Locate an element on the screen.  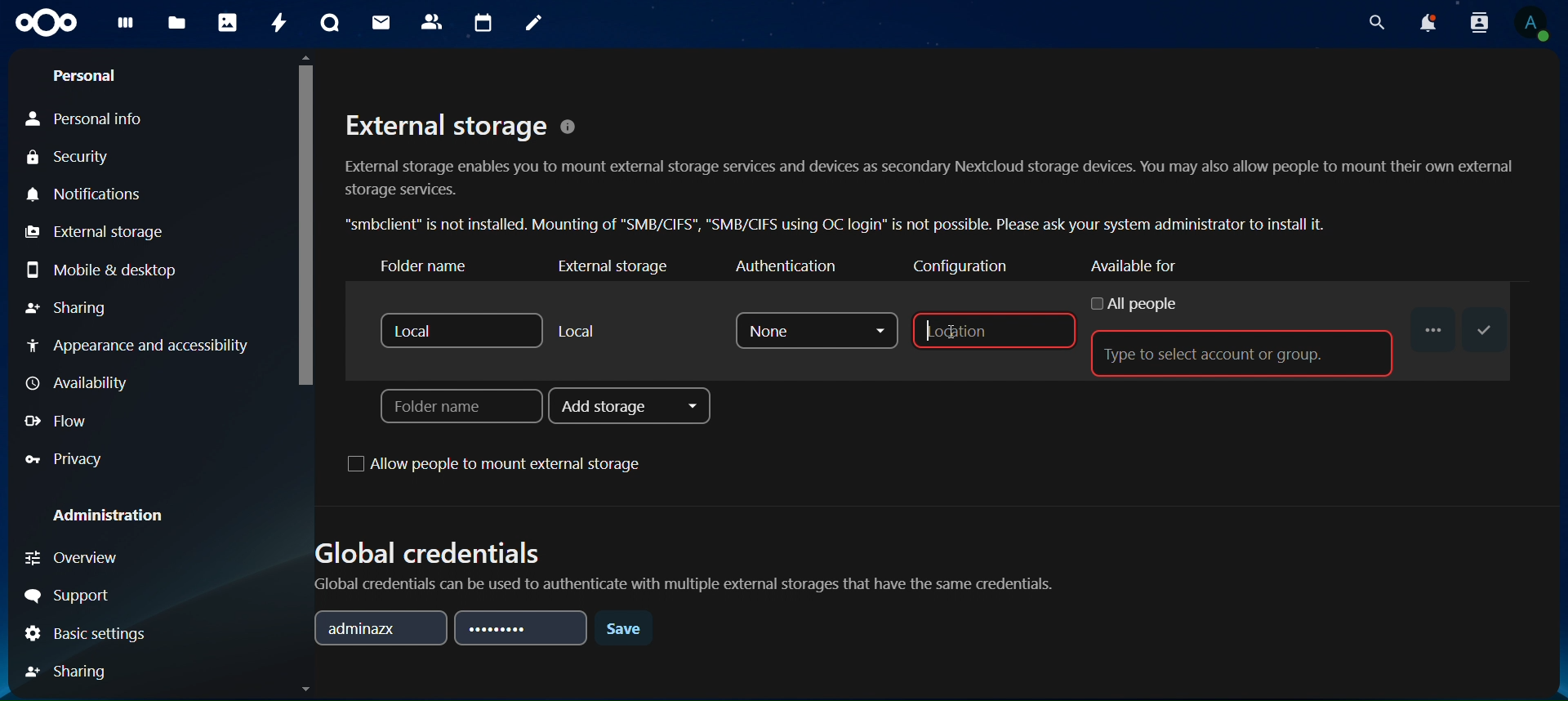
folder name is located at coordinates (440, 267).